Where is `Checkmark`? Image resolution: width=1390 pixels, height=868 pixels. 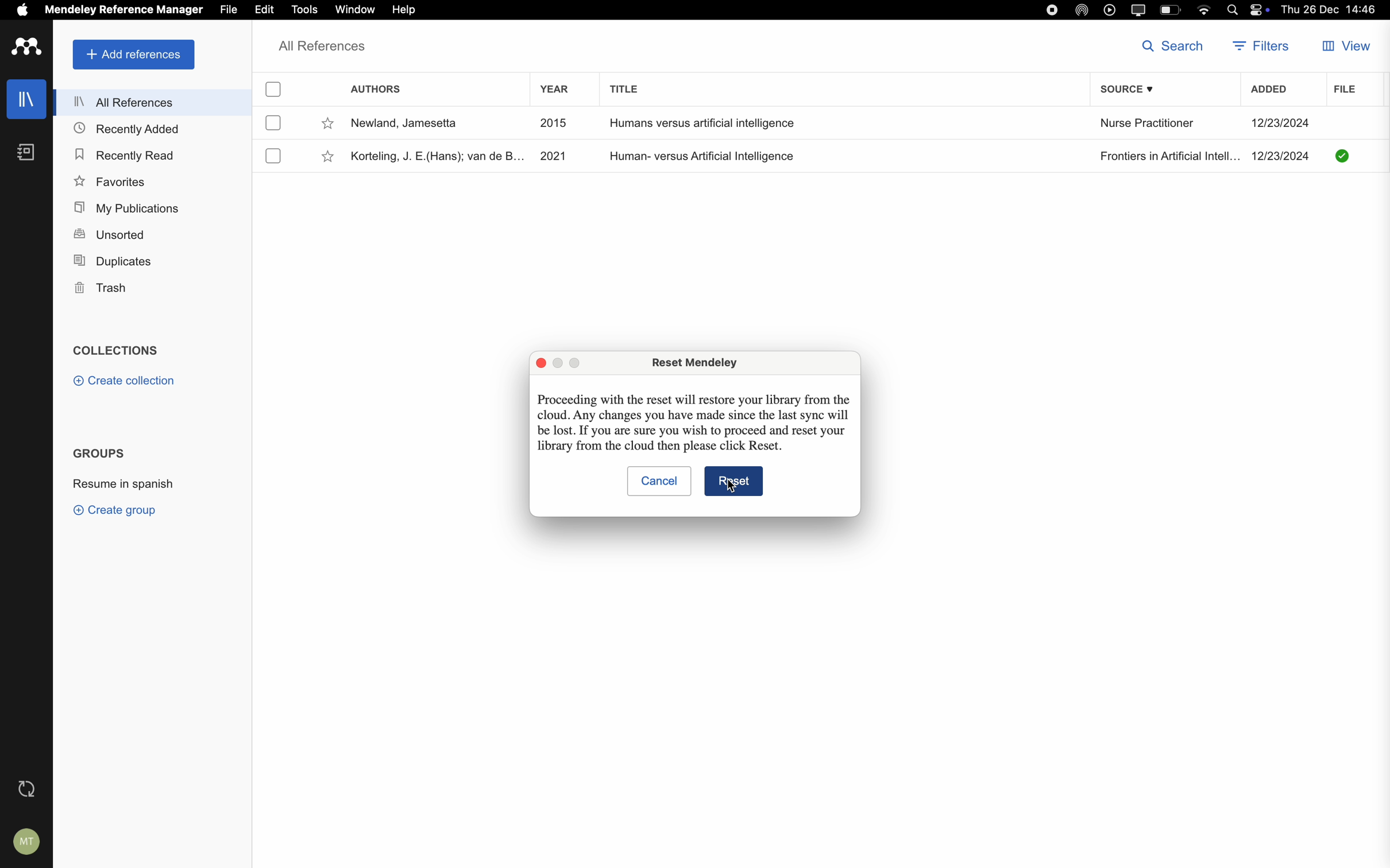 Checkmark is located at coordinates (1343, 157).